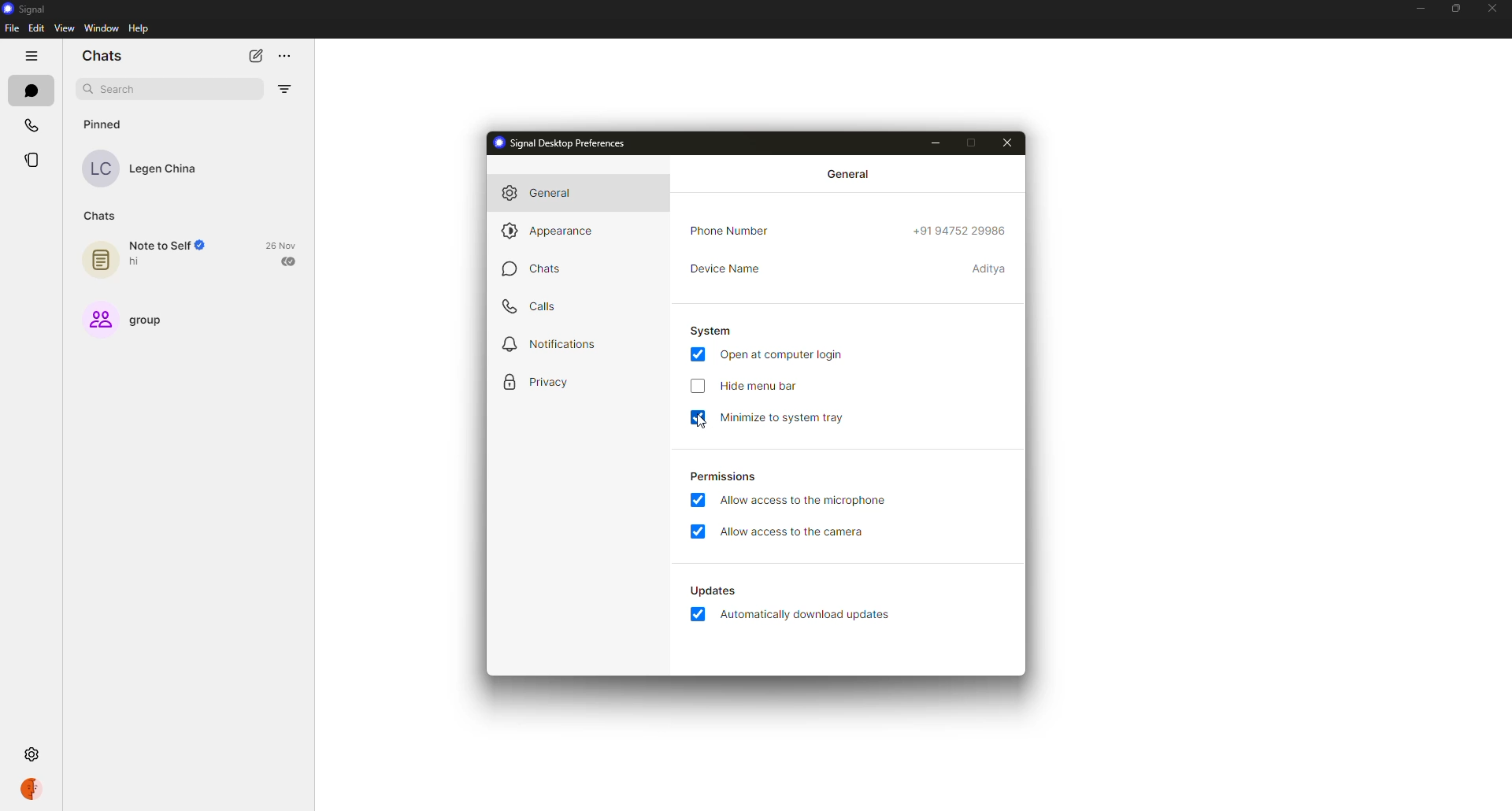 The width and height of the screenshot is (1512, 811). Describe the element at coordinates (728, 476) in the screenshot. I see `permissions` at that location.